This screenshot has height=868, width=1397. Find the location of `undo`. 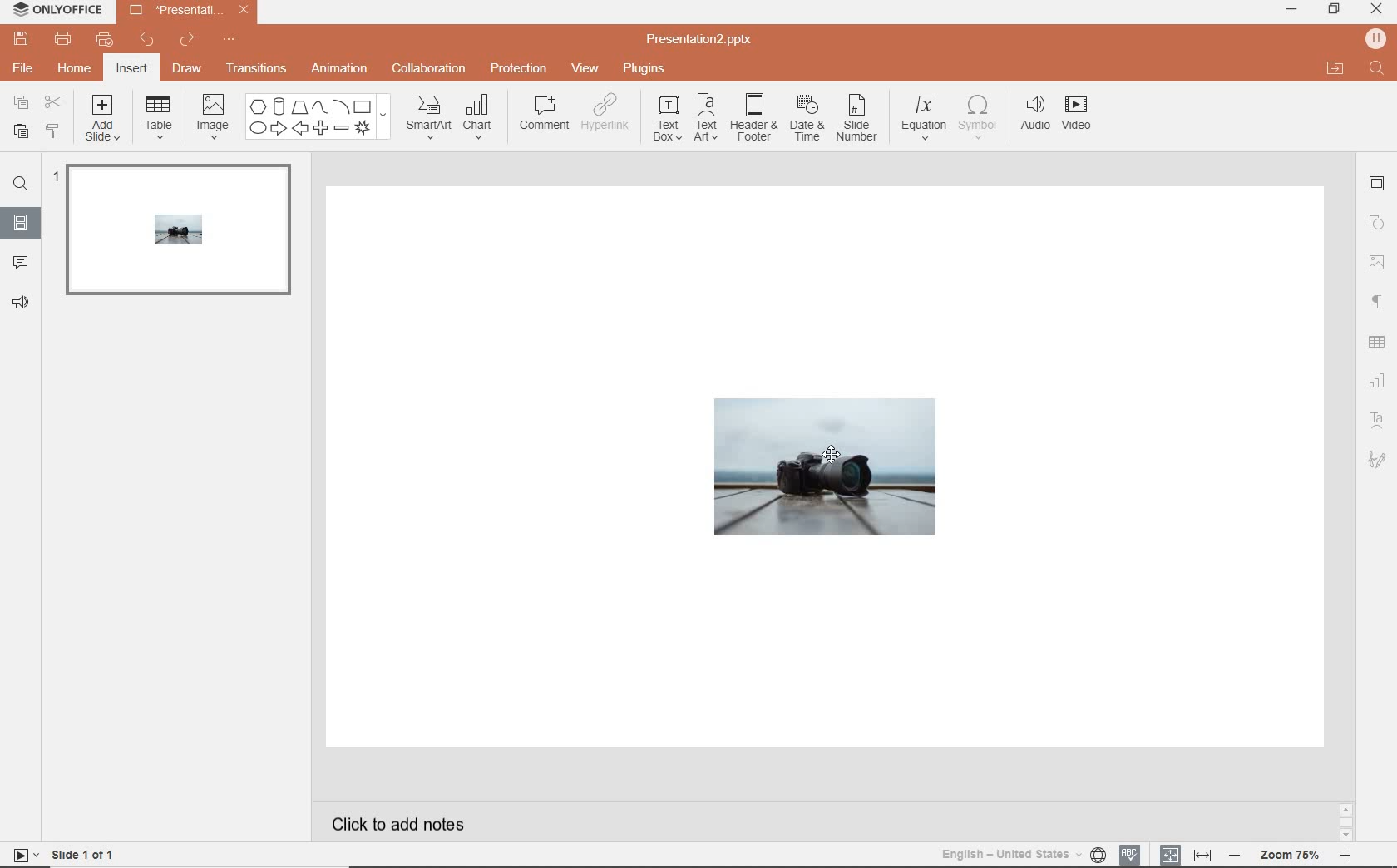

undo is located at coordinates (147, 40).